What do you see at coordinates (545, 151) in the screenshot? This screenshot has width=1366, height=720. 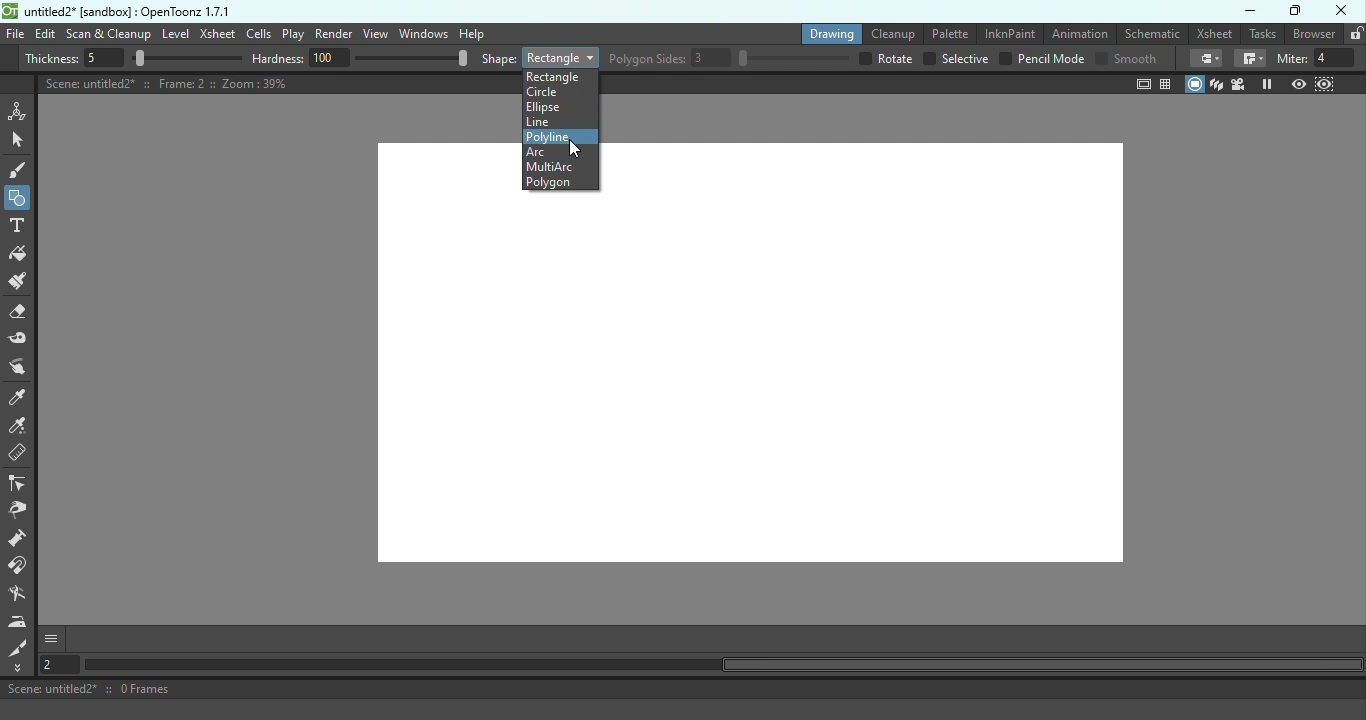 I see `Arc` at bounding box center [545, 151].